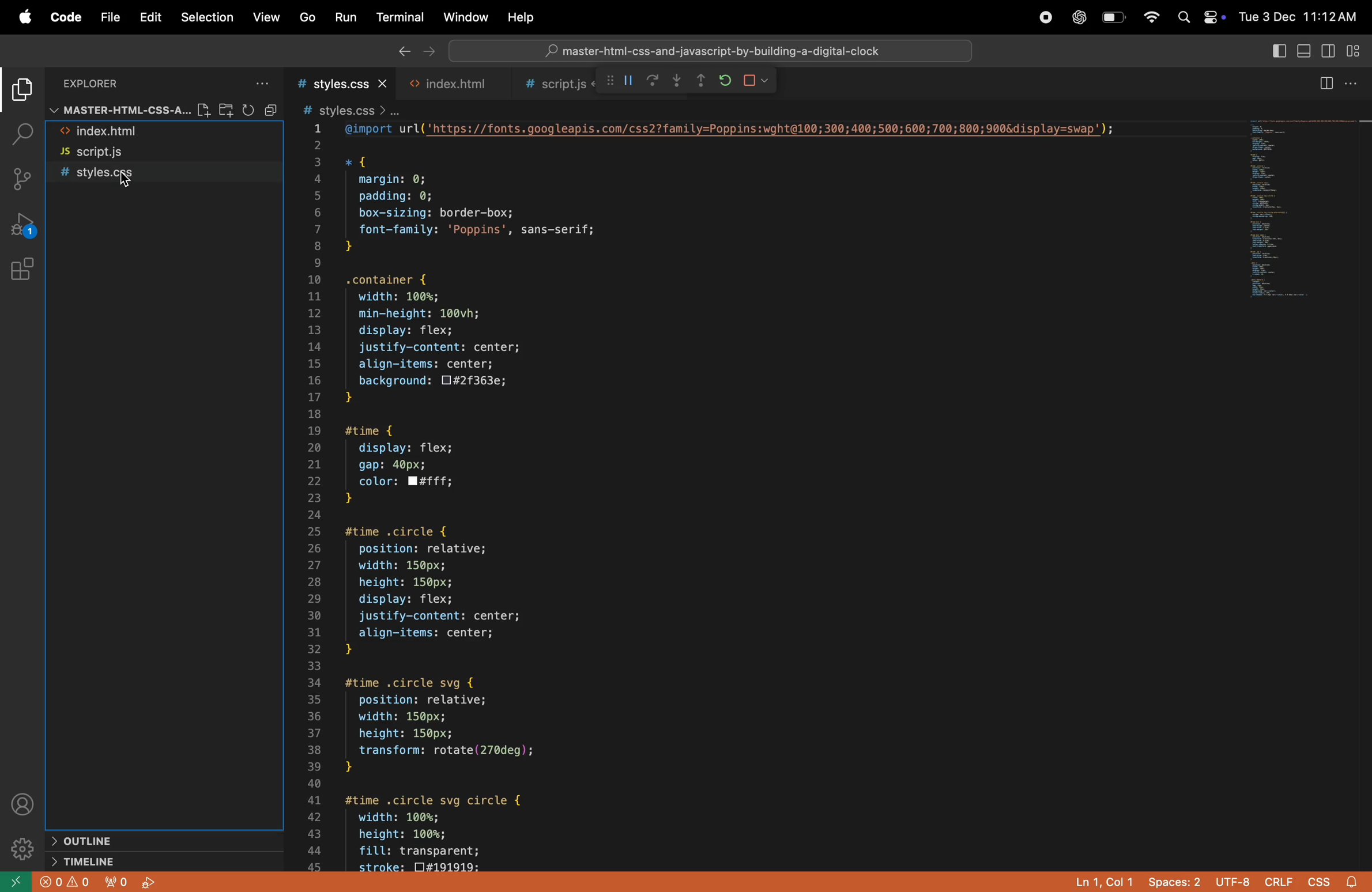  I want to click on help, so click(520, 16).